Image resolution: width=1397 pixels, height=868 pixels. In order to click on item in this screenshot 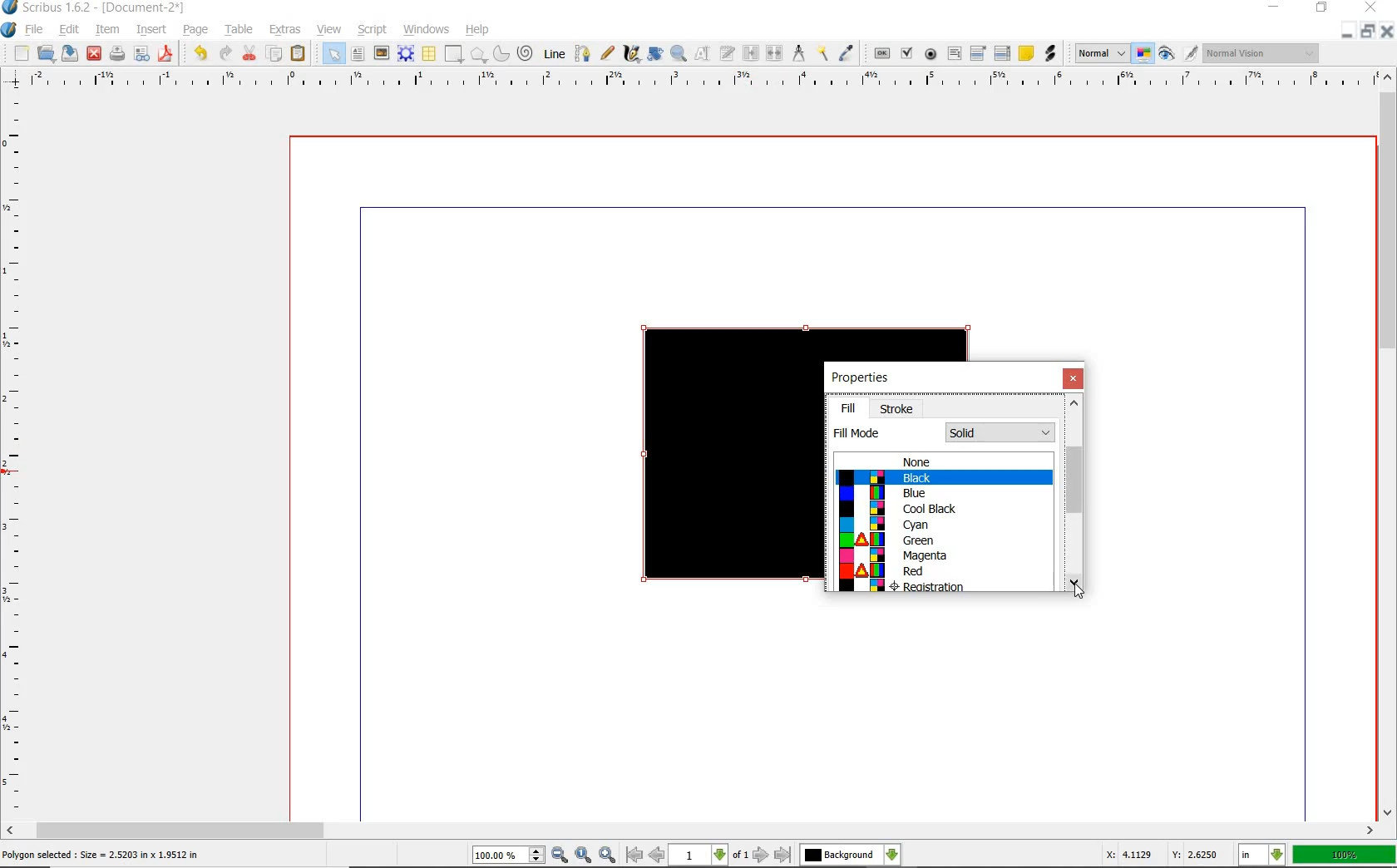, I will do `click(109, 29)`.